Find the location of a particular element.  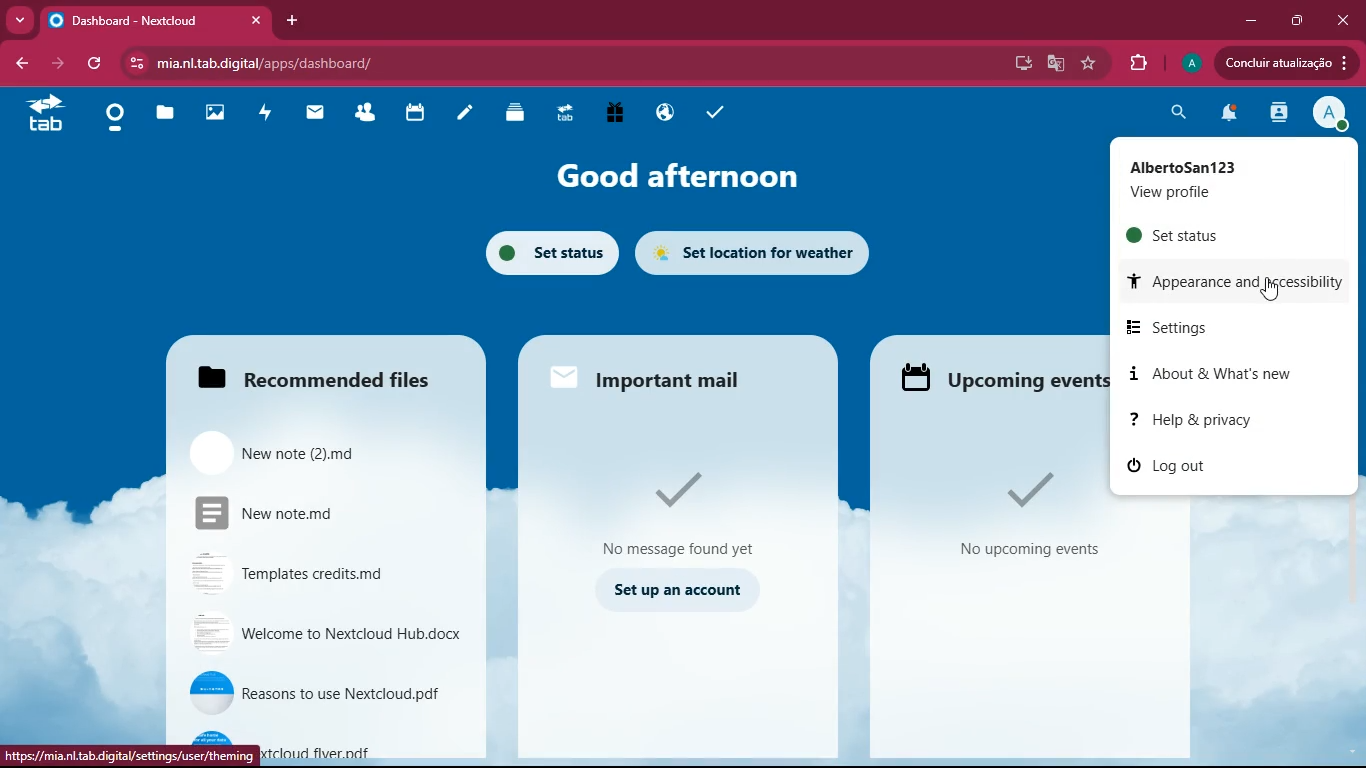

images is located at coordinates (219, 114).